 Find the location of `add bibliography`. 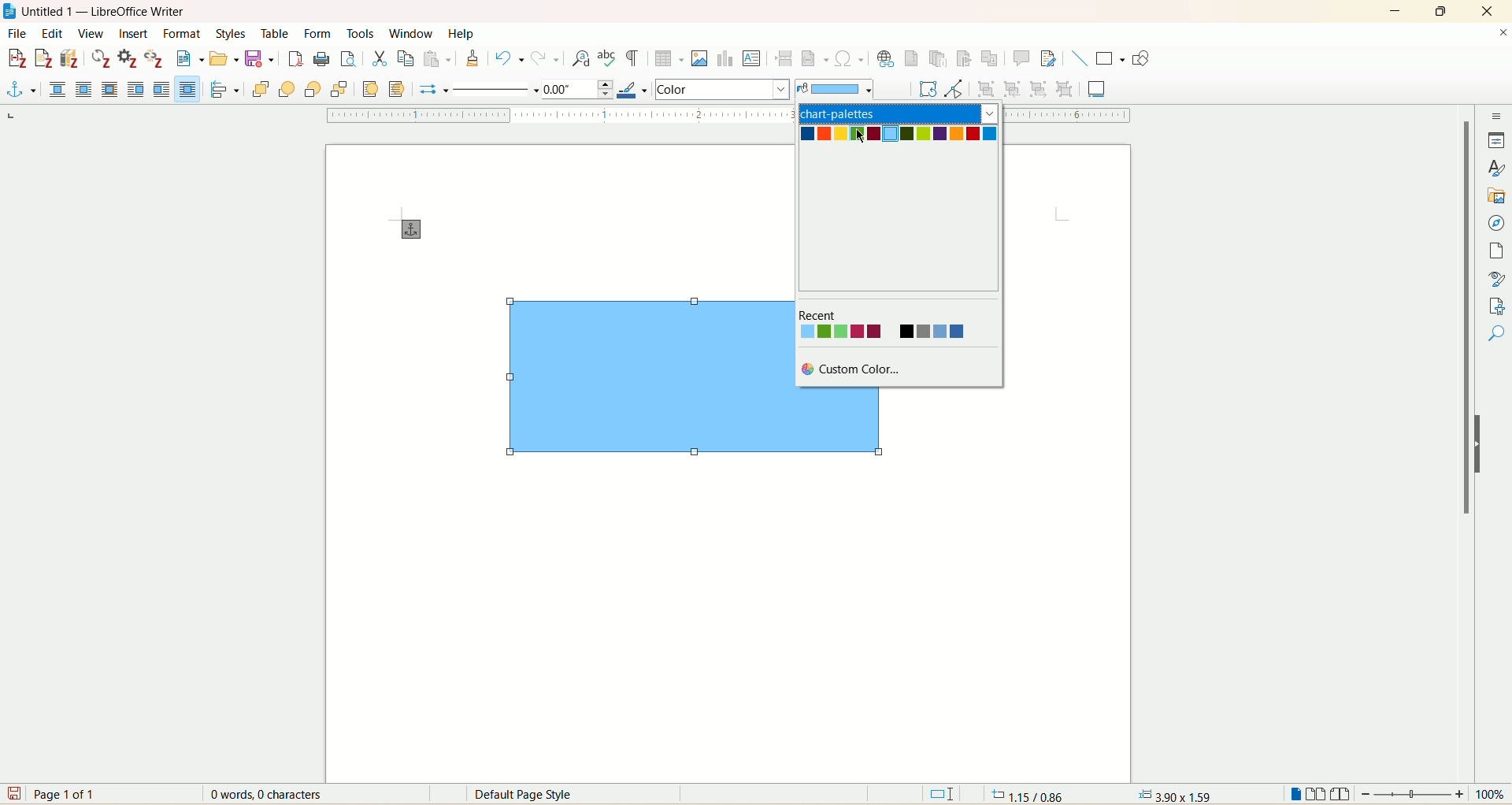

add bibliography is located at coordinates (70, 59).